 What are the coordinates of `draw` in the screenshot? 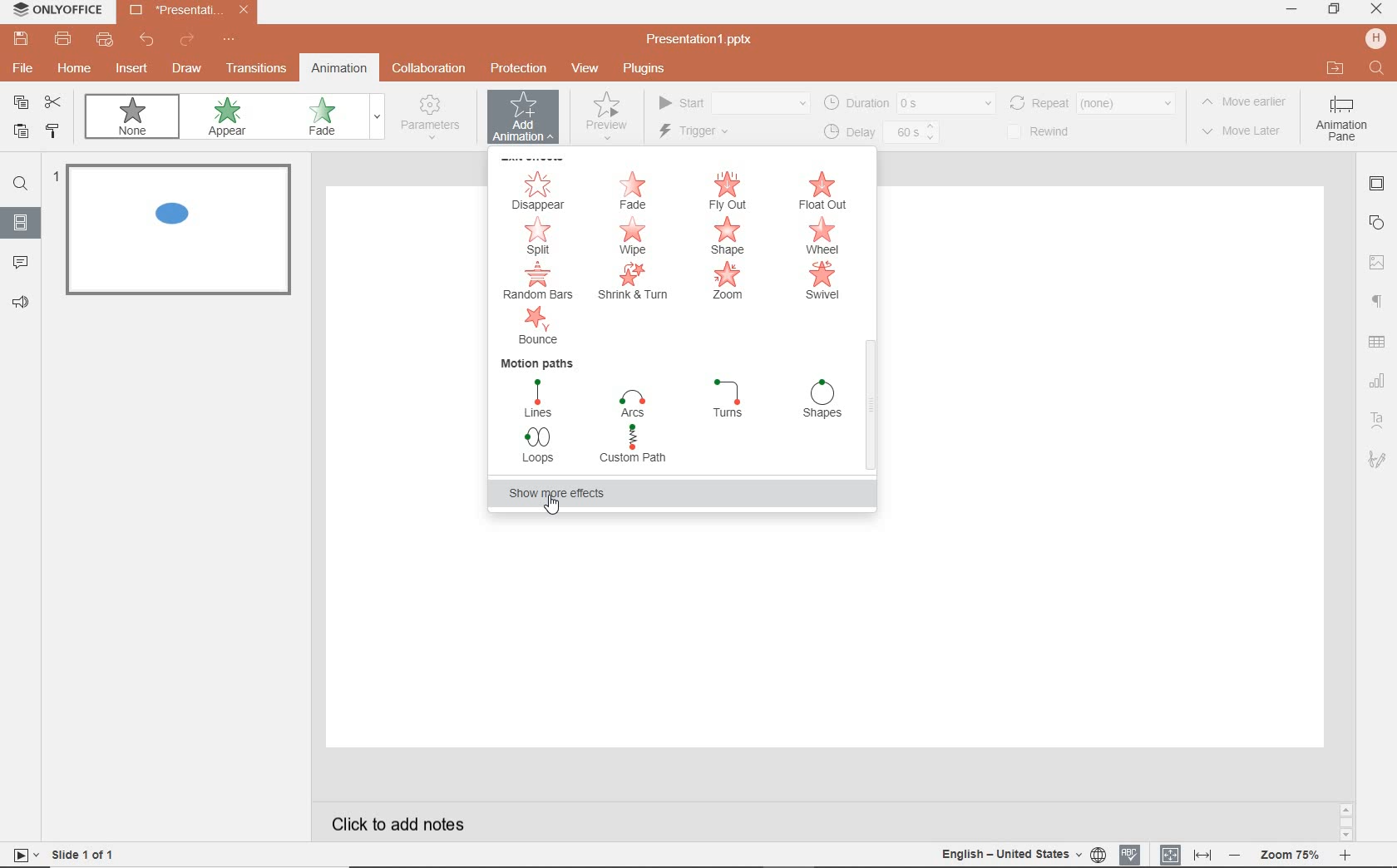 It's located at (187, 68).